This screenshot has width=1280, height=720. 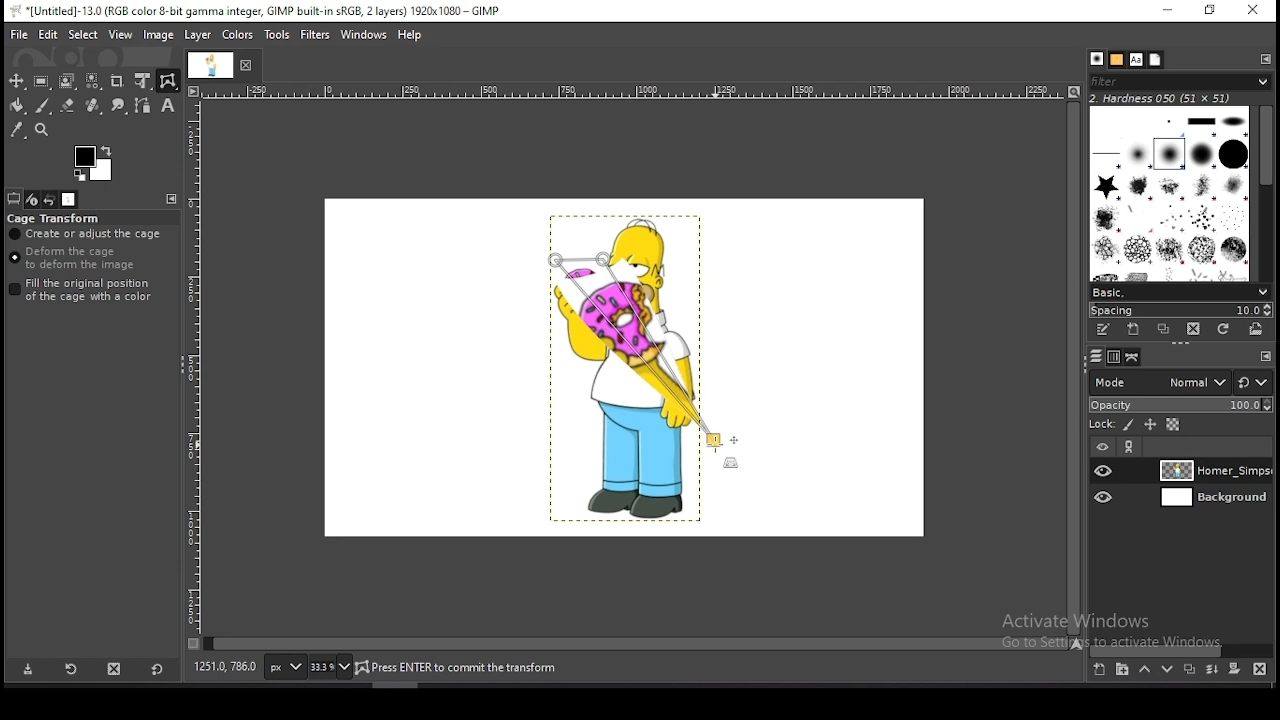 I want to click on tool options, so click(x=14, y=199).